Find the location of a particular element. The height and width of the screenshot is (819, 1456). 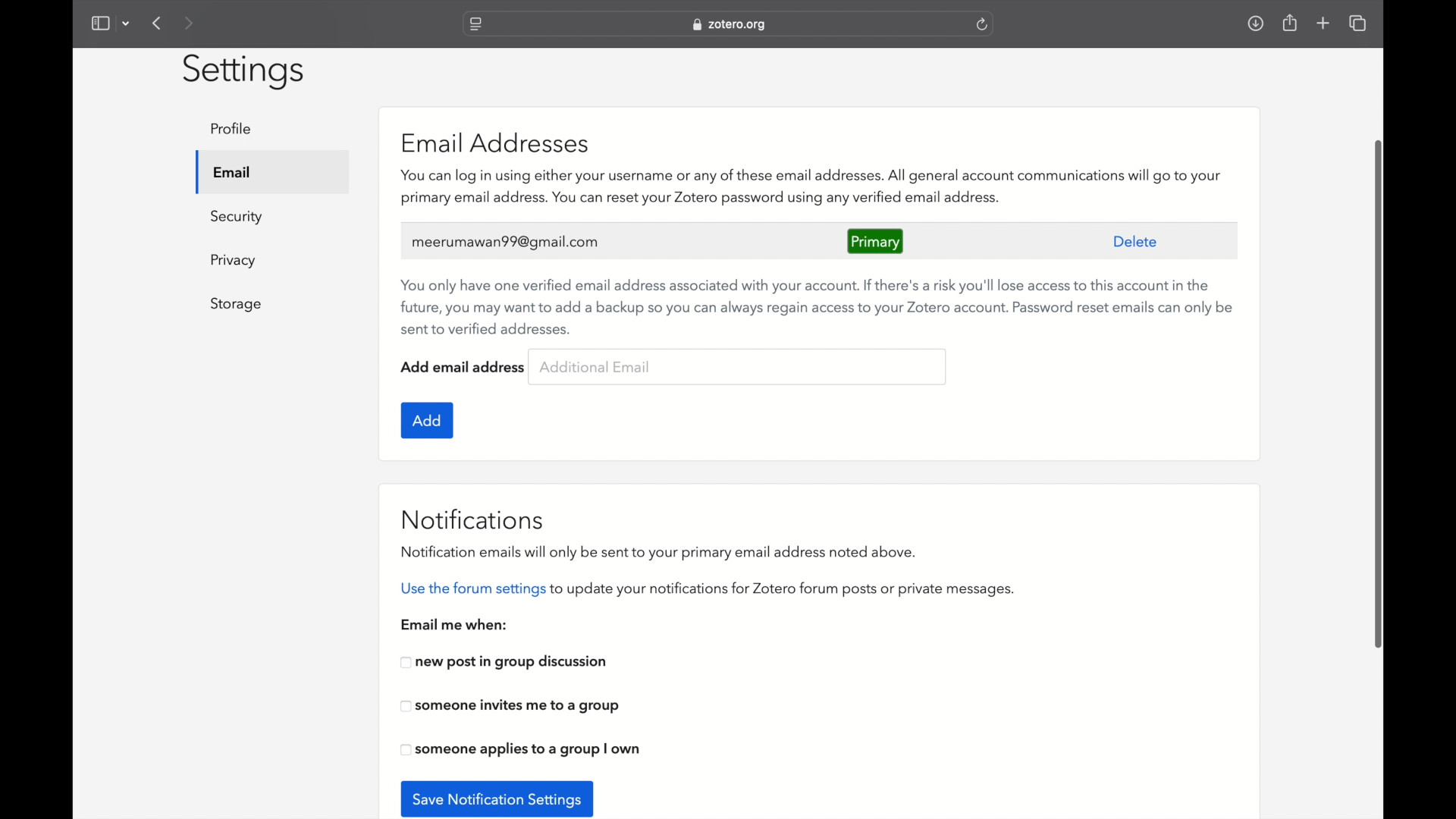

email addresses is located at coordinates (497, 143).